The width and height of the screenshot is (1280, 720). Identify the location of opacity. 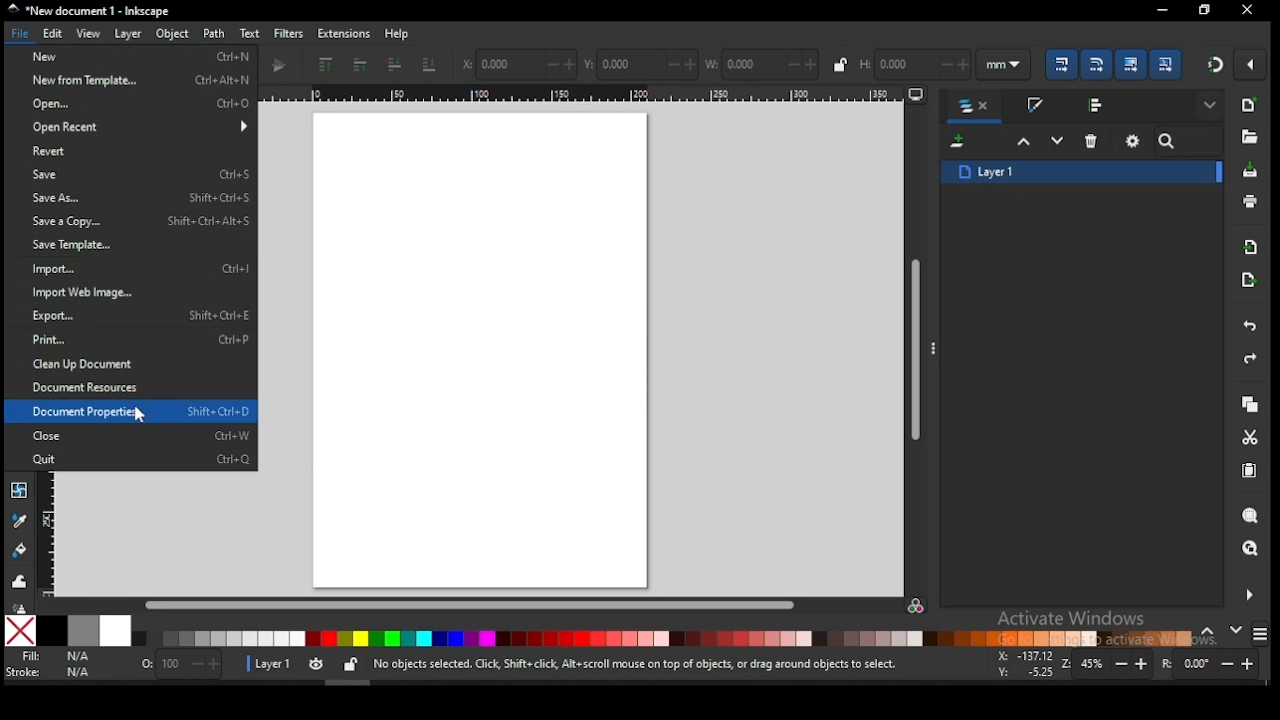
(179, 667).